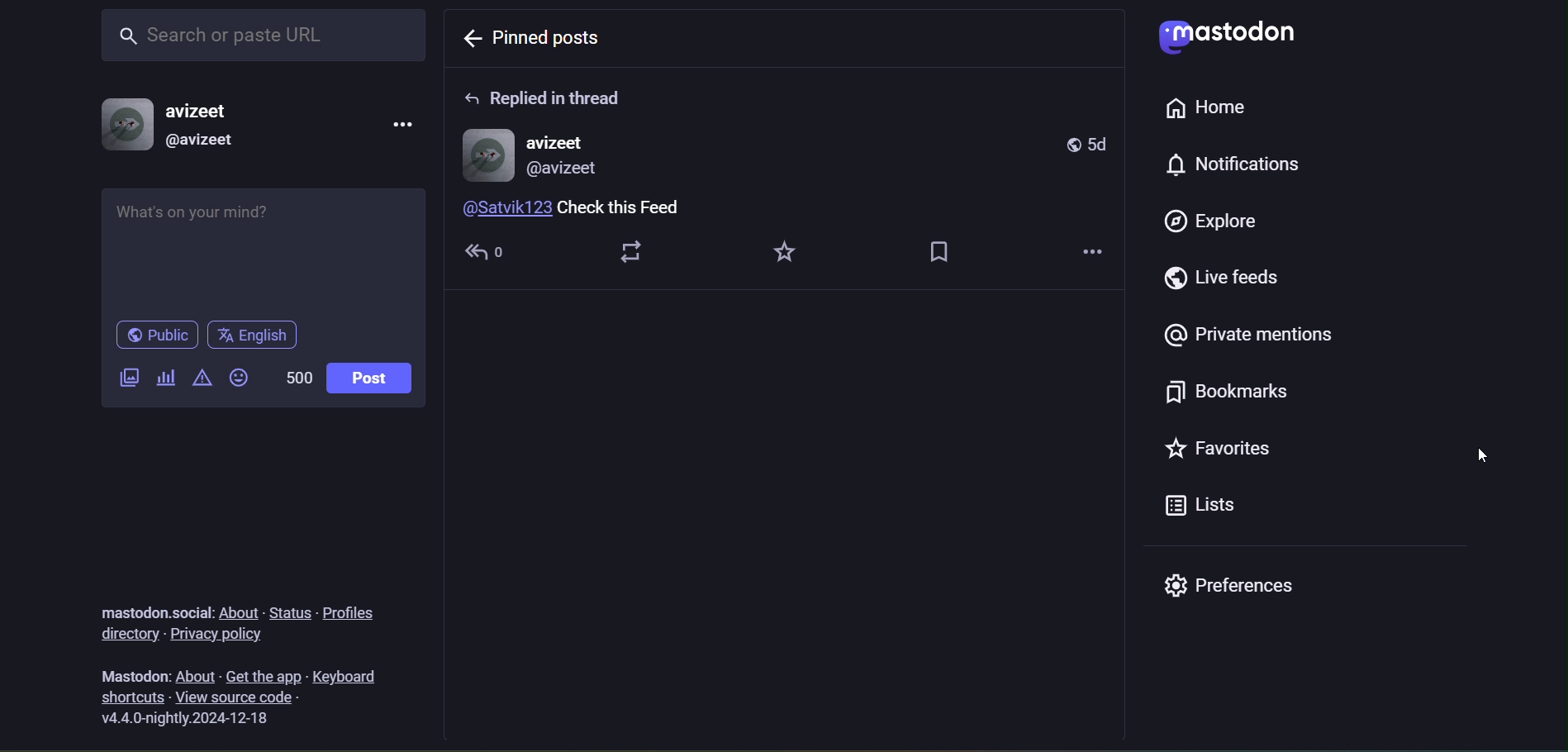  Describe the element at coordinates (1198, 108) in the screenshot. I see `Home` at that location.